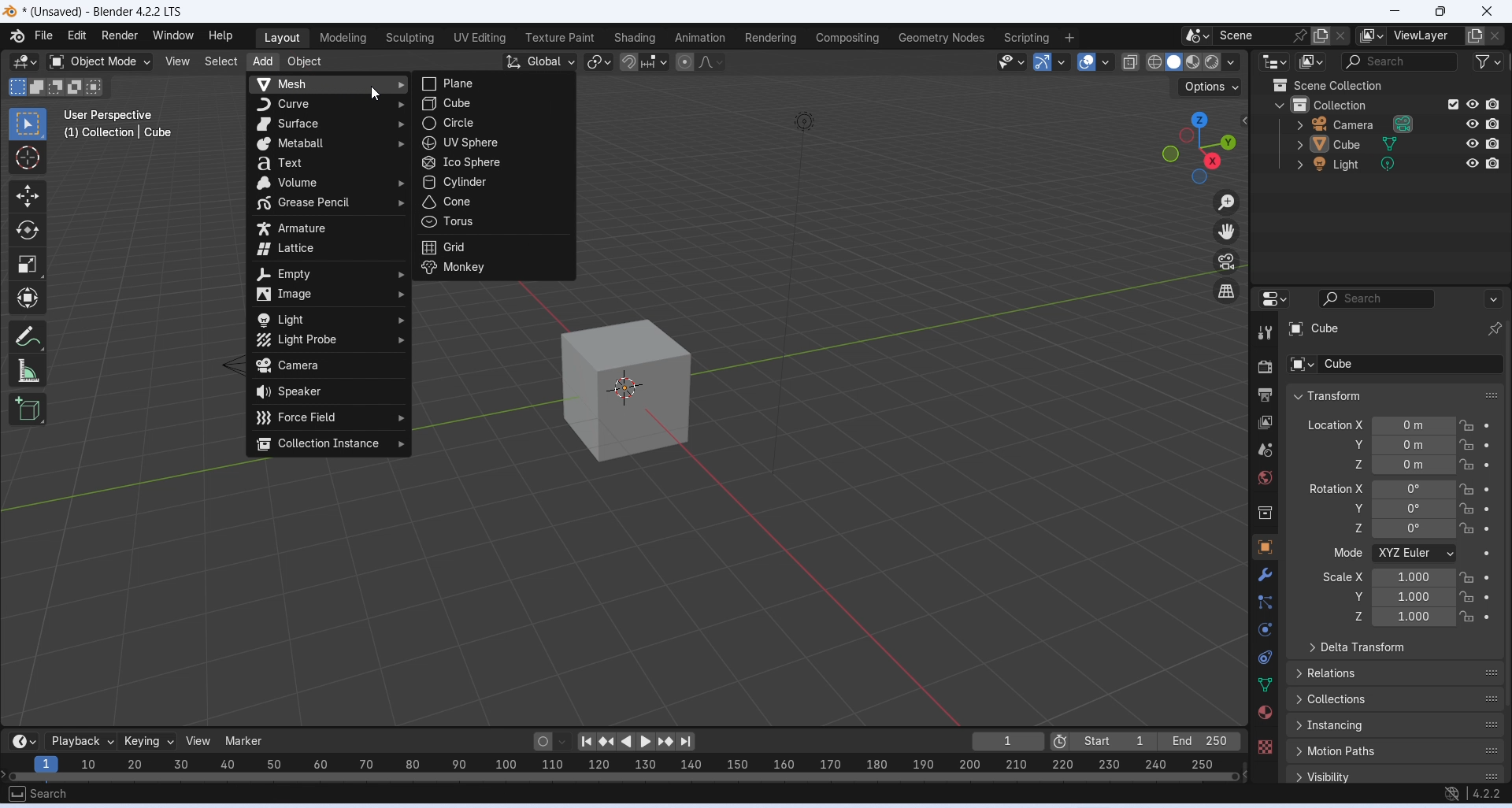 This screenshot has width=1512, height=808. Describe the element at coordinates (172, 35) in the screenshot. I see `Window` at that location.